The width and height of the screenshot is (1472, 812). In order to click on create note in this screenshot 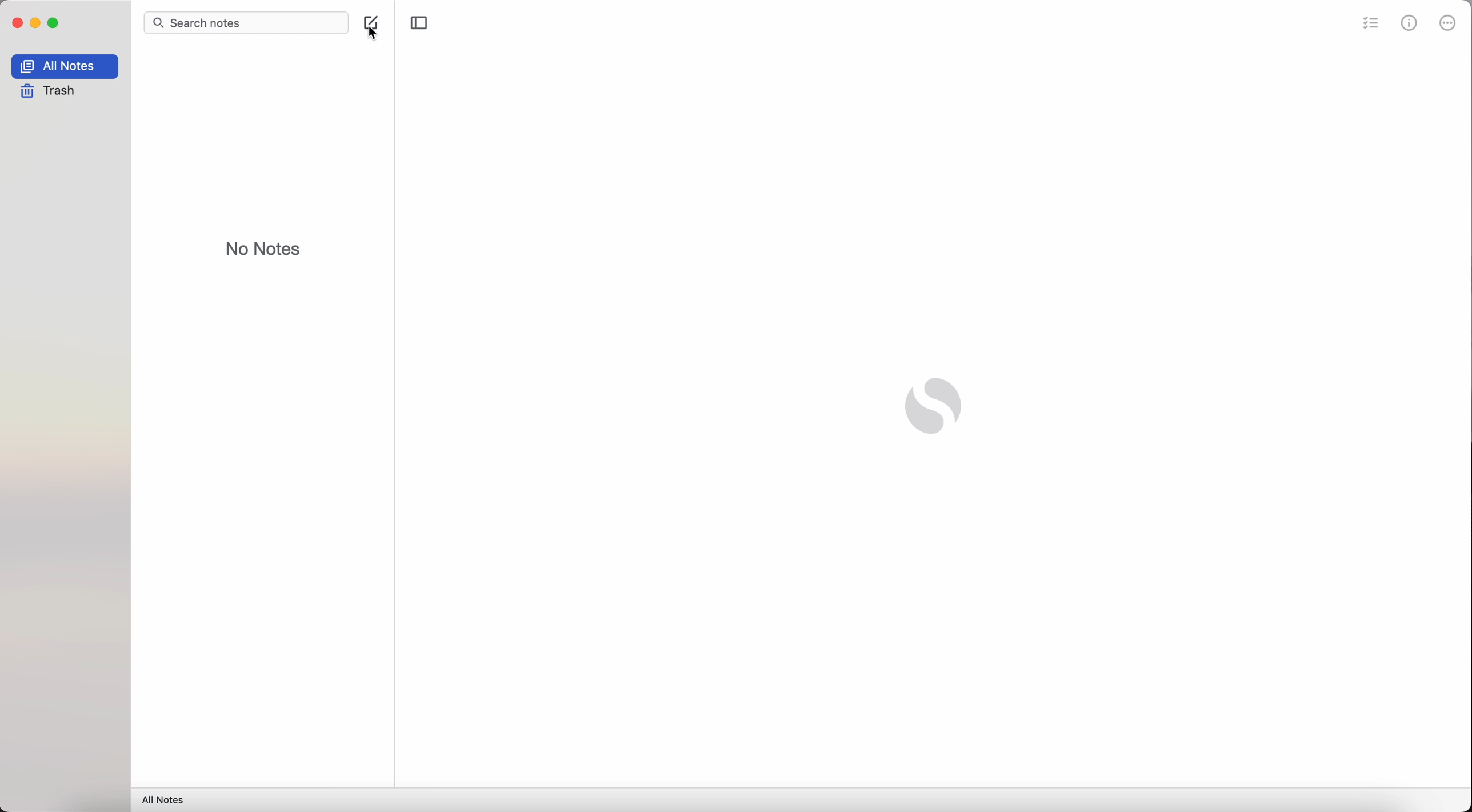, I will do `click(374, 29)`.